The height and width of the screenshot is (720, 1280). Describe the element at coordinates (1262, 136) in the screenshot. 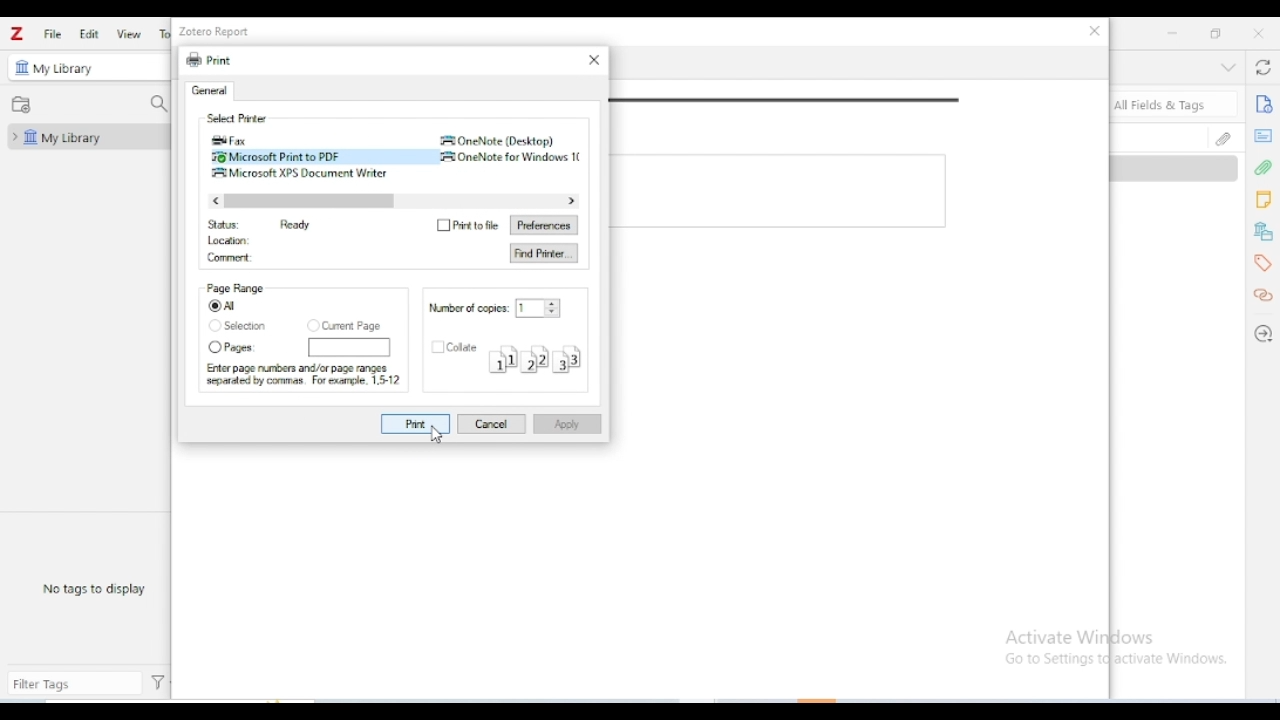

I see `abstract` at that location.